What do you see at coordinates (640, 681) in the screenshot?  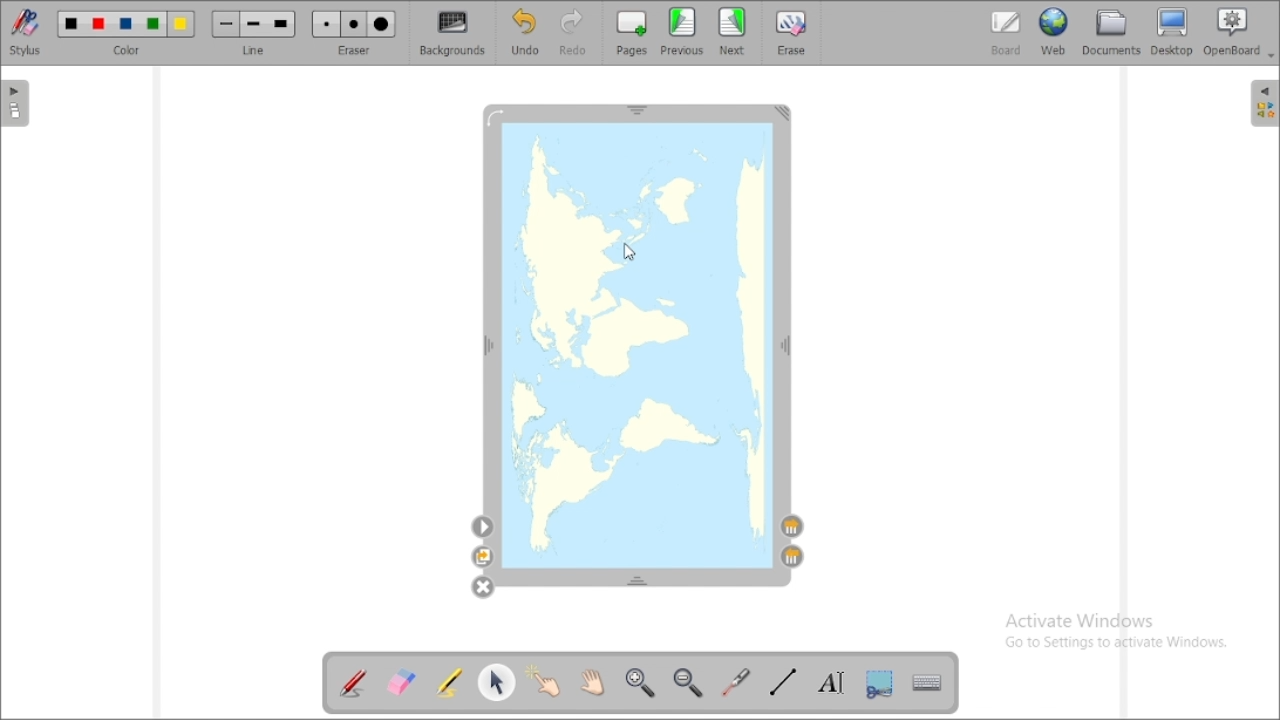 I see `zoom in` at bounding box center [640, 681].